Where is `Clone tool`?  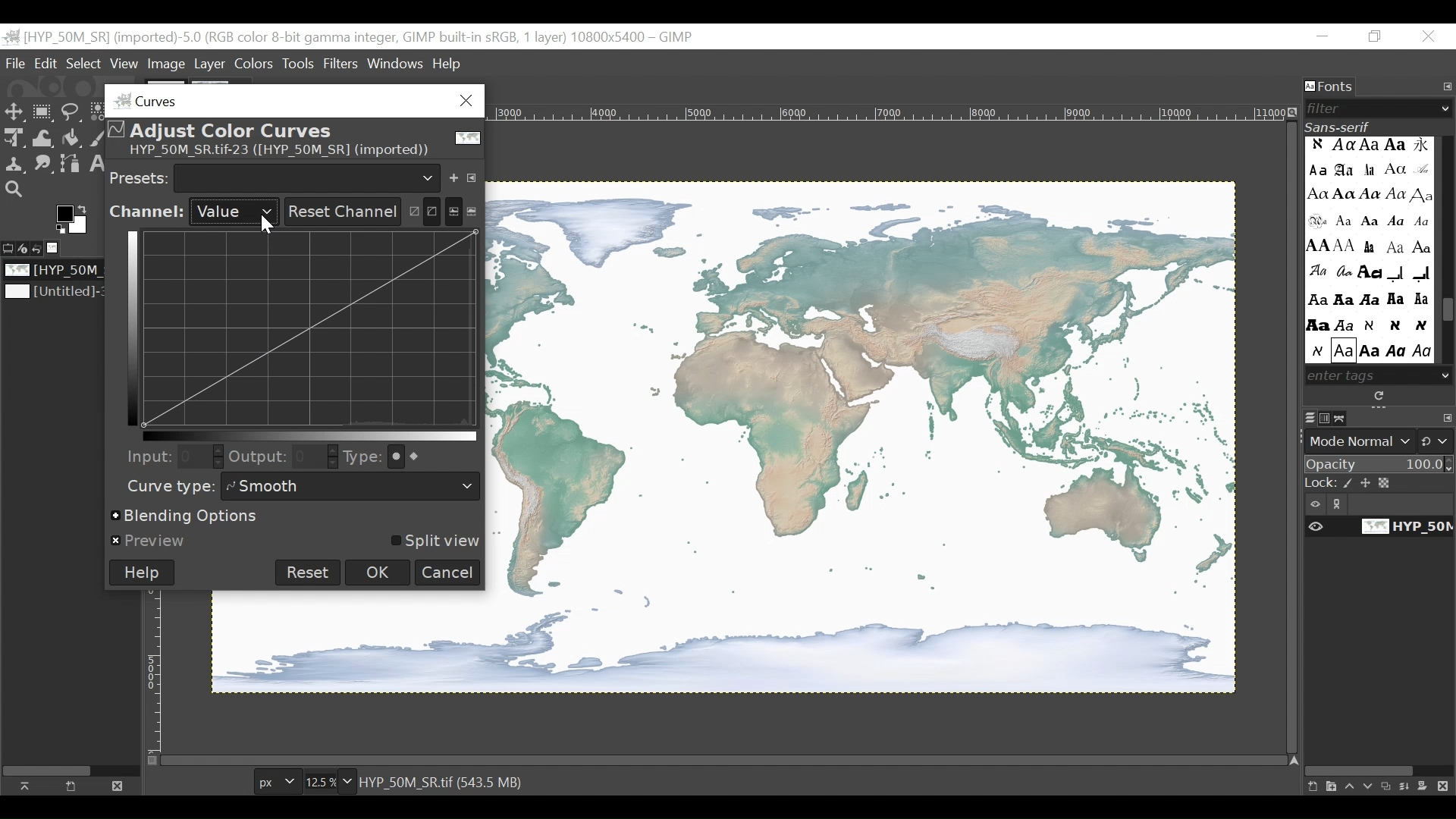
Clone tool is located at coordinates (14, 164).